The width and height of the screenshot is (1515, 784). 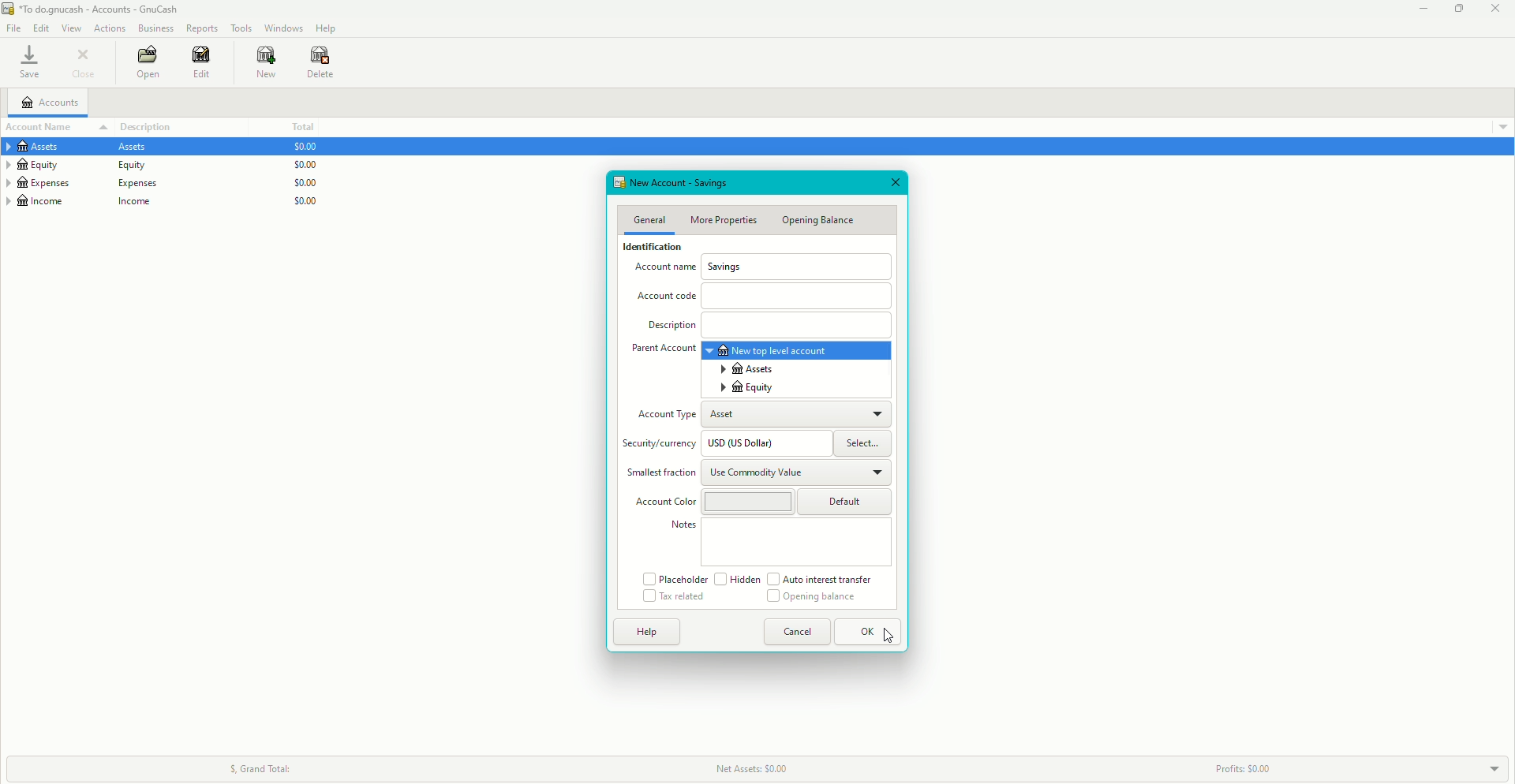 What do you see at coordinates (1496, 770) in the screenshot?
I see `Drop down` at bounding box center [1496, 770].